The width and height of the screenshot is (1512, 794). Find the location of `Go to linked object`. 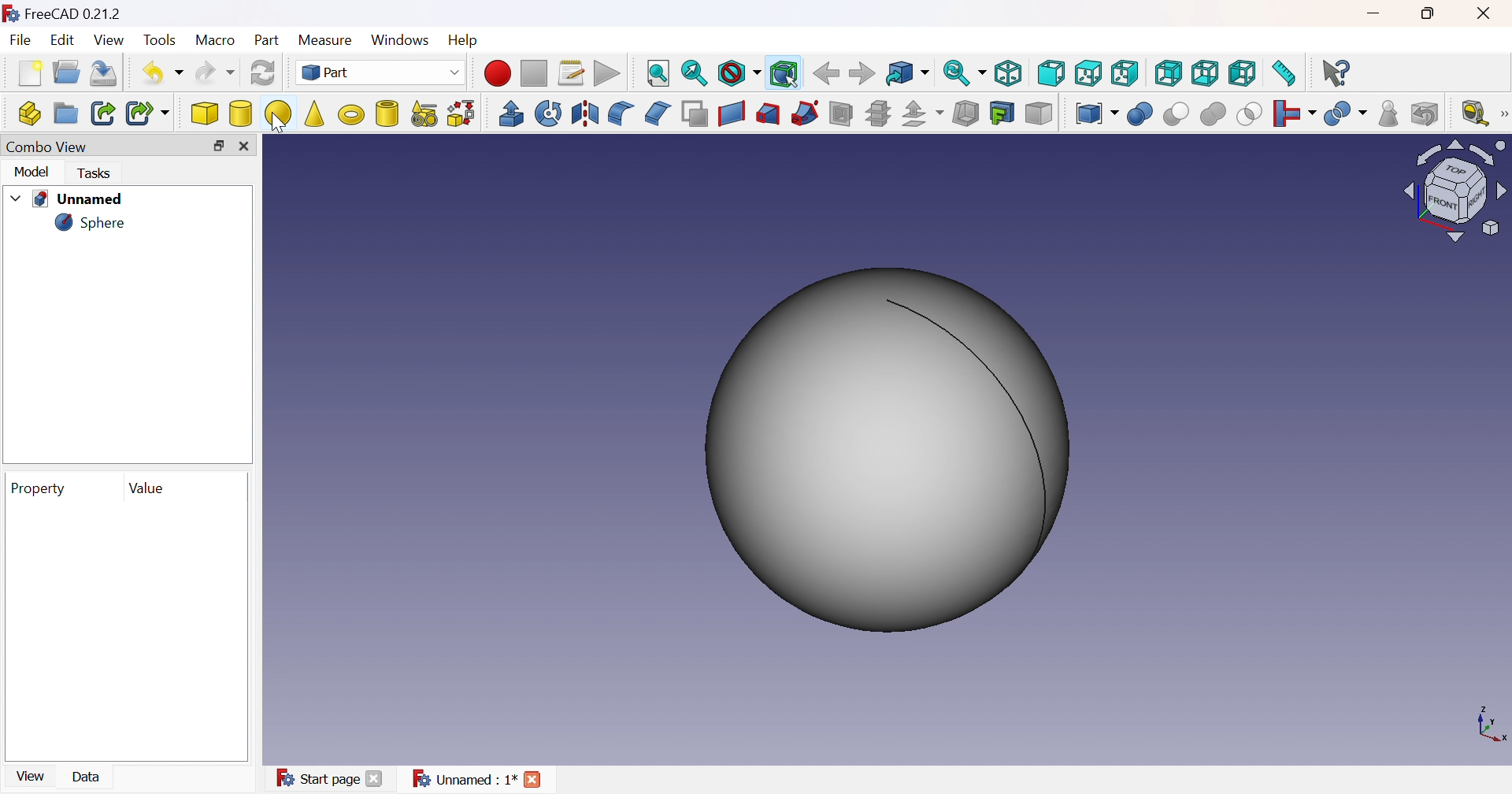

Go to linked object is located at coordinates (907, 74).